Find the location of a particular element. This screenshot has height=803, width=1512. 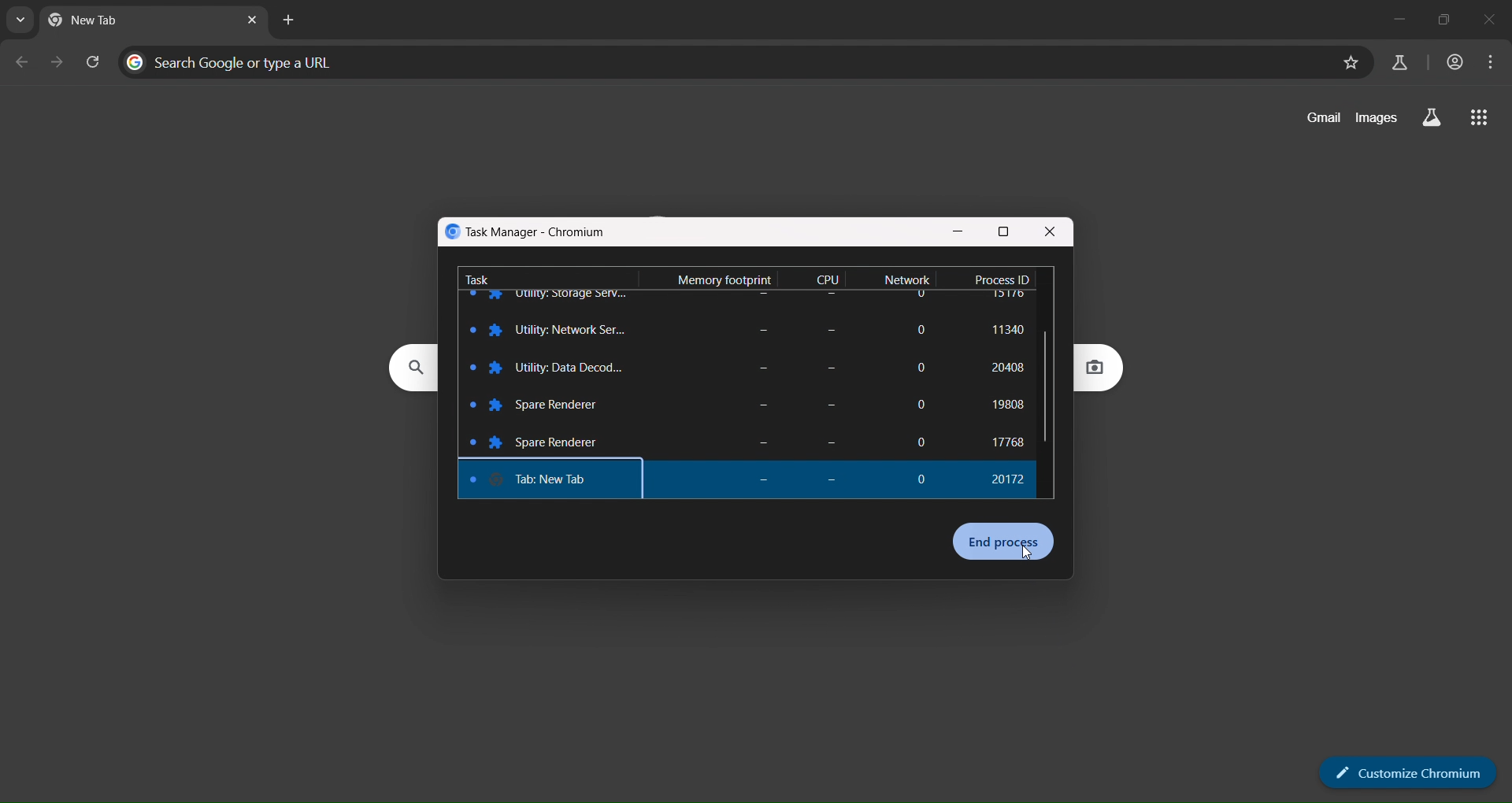

00 is located at coordinates (825, 404).